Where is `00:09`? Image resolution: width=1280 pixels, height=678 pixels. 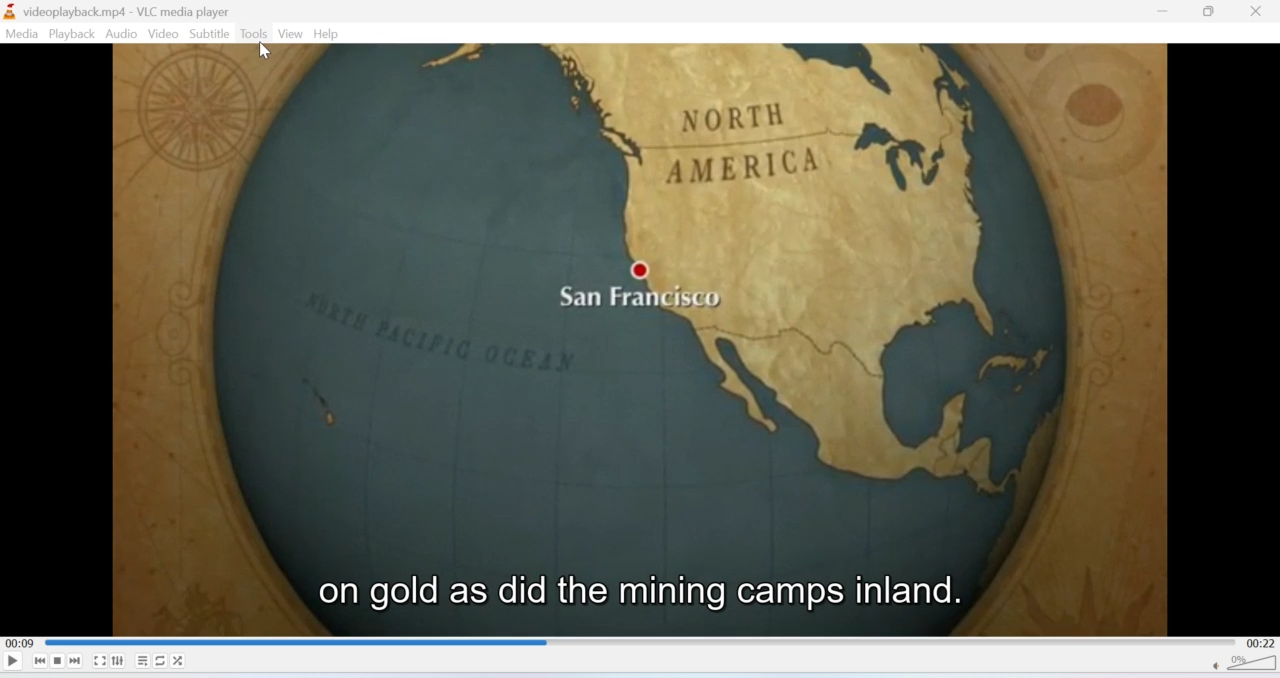
00:09 is located at coordinates (18, 644).